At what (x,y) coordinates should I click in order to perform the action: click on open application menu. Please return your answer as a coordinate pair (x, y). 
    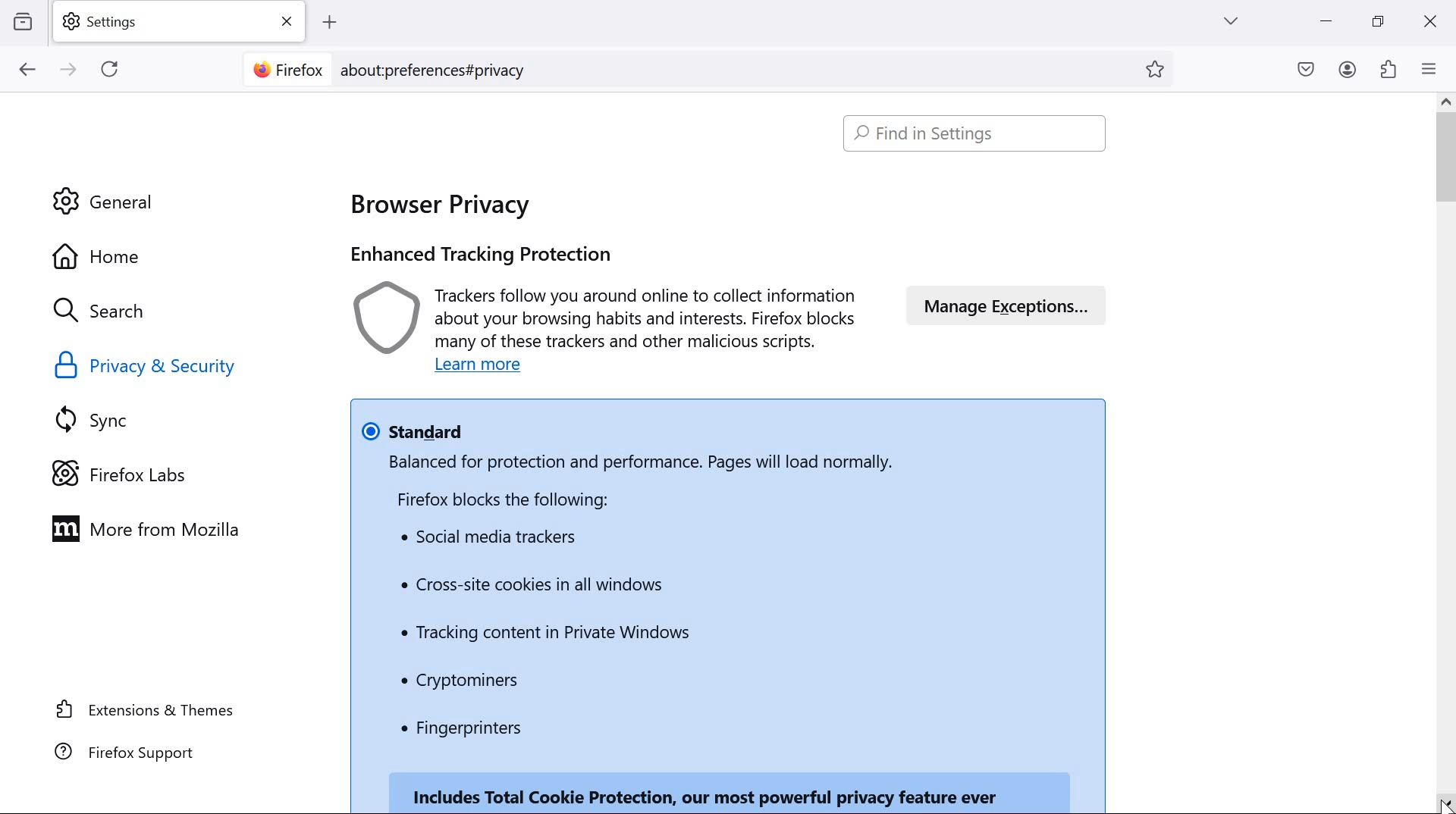
    Looking at the image, I should click on (1432, 68).